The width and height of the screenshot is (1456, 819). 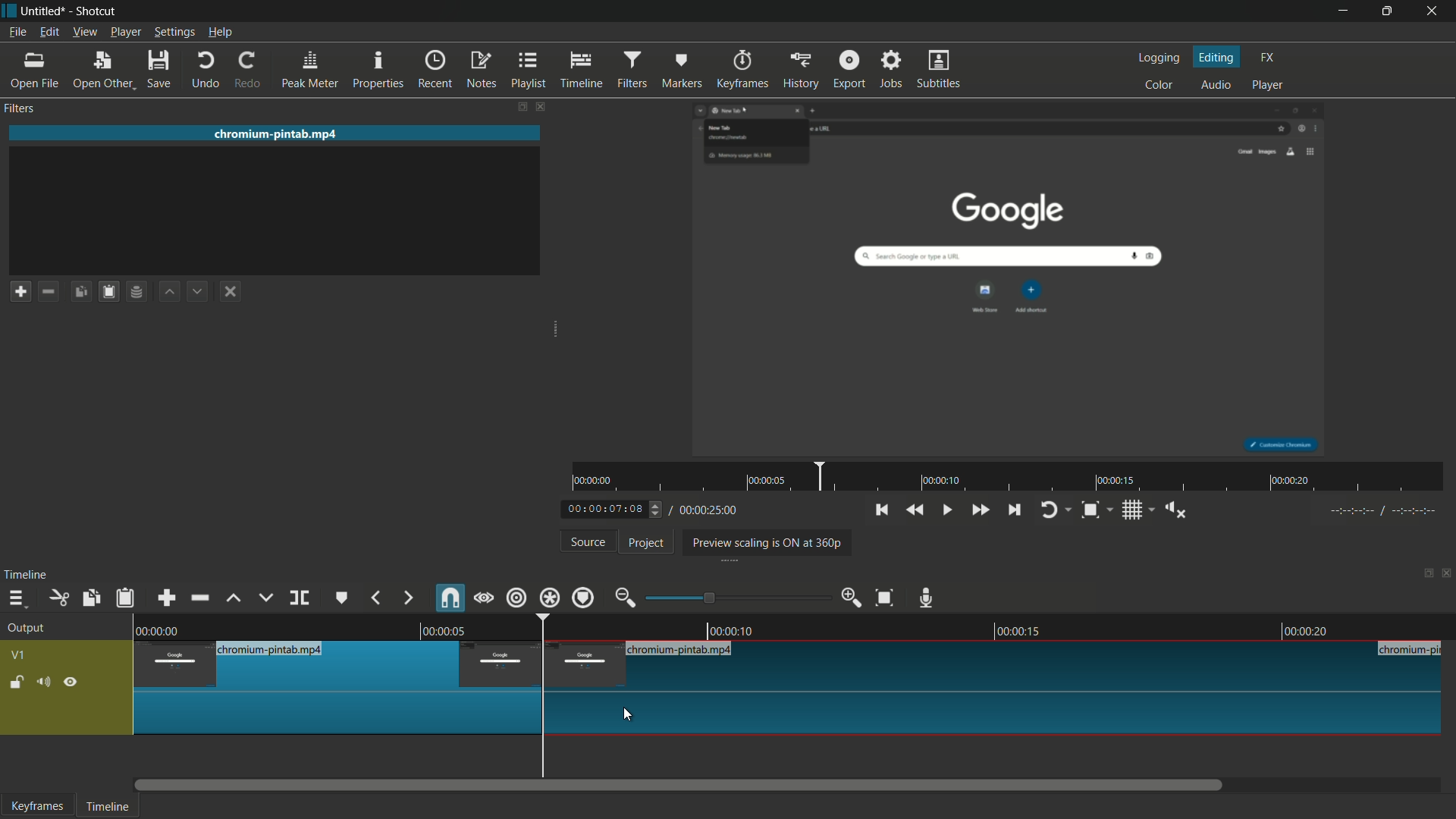 I want to click on app name, so click(x=95, y=11).